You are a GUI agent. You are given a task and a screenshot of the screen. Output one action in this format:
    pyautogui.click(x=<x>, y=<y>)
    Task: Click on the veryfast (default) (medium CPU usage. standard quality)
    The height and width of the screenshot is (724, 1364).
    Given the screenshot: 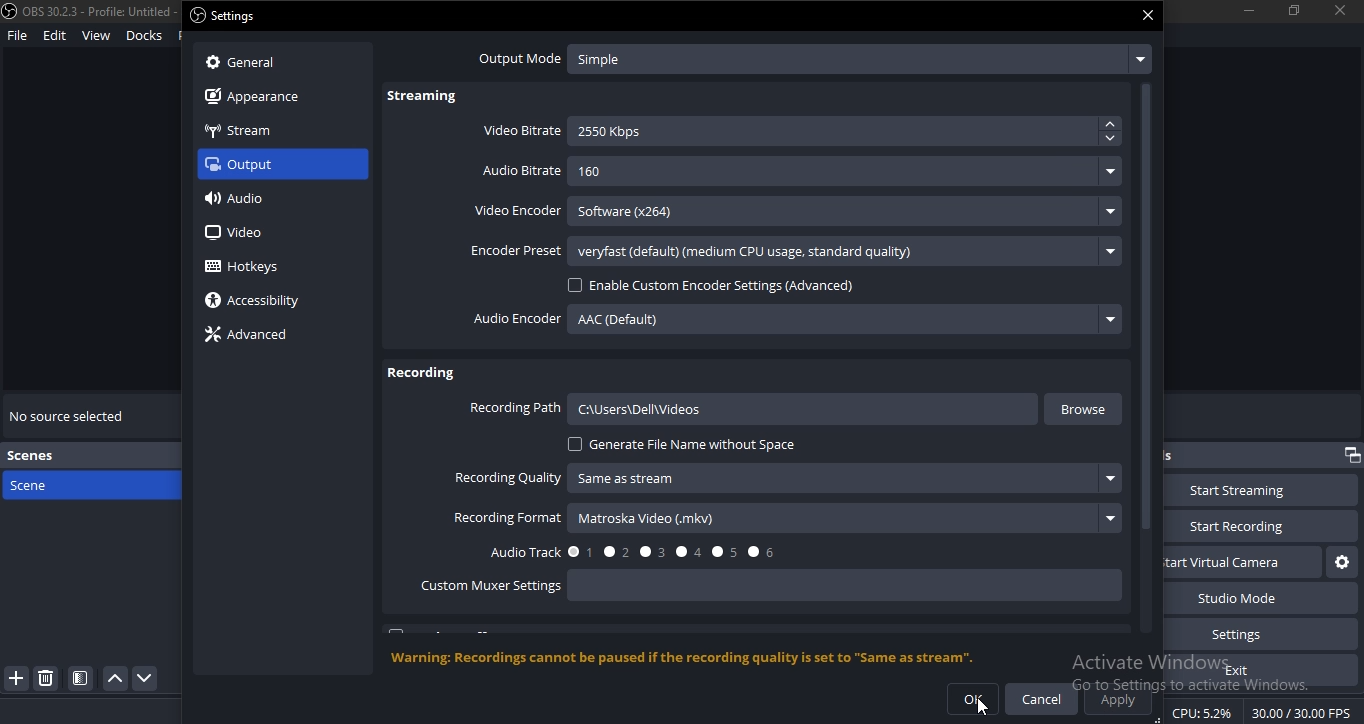 What is the action you would take?
    pyautogui.click(x=843, y=252)
    